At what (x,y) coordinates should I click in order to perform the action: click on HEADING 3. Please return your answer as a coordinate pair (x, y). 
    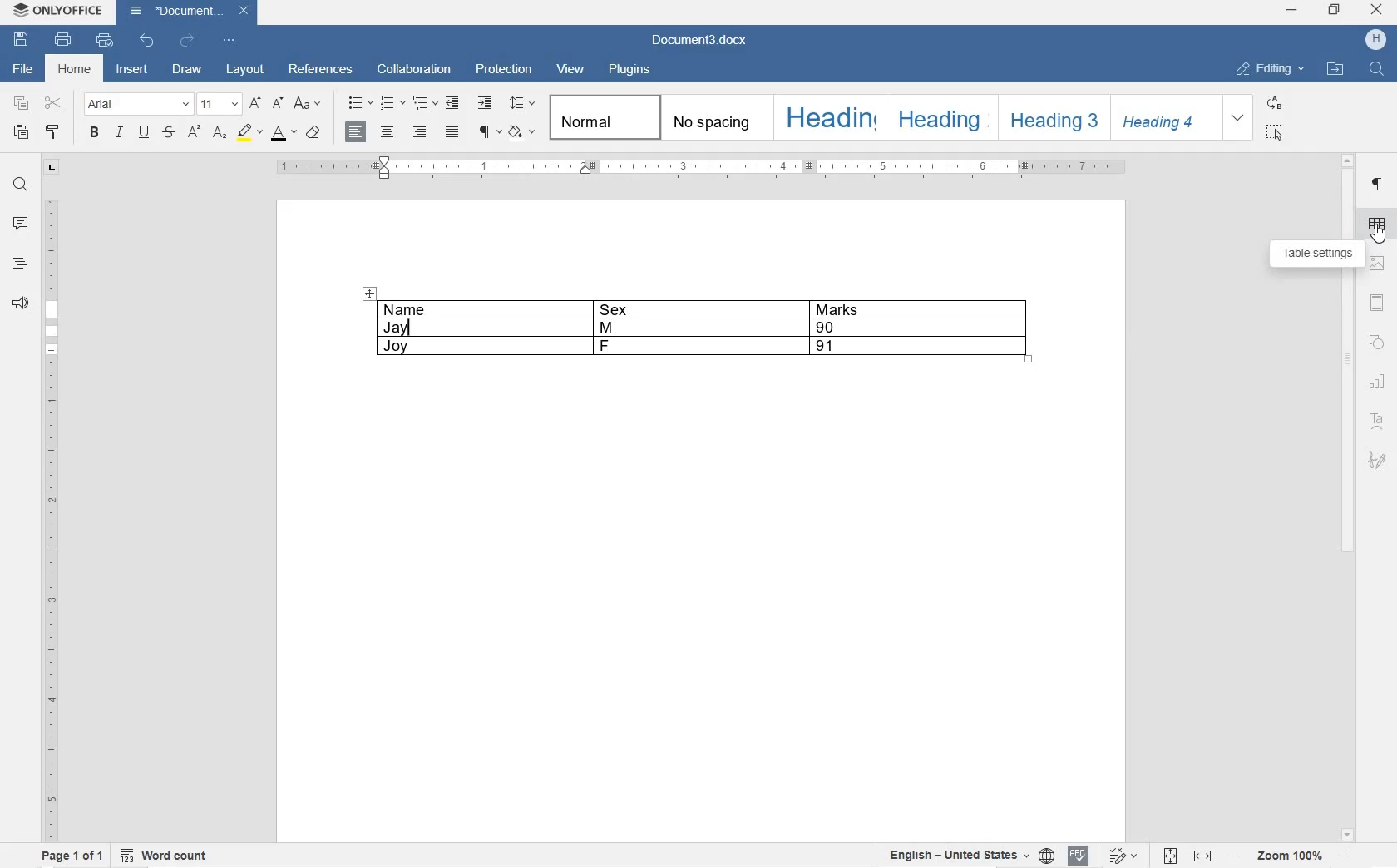
    Looking at the image, I should click on (1052, 118).